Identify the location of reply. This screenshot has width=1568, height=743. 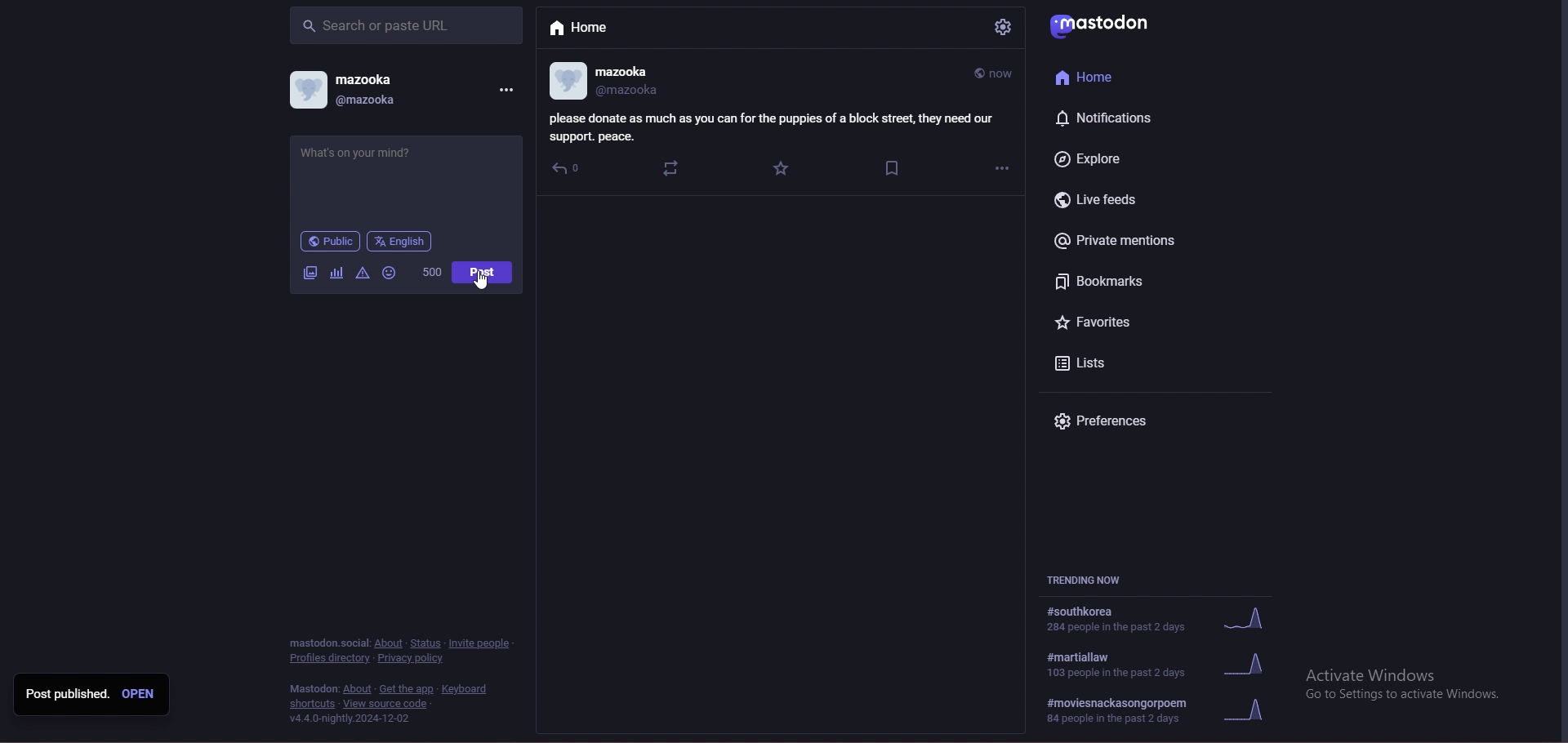
(566, 169).